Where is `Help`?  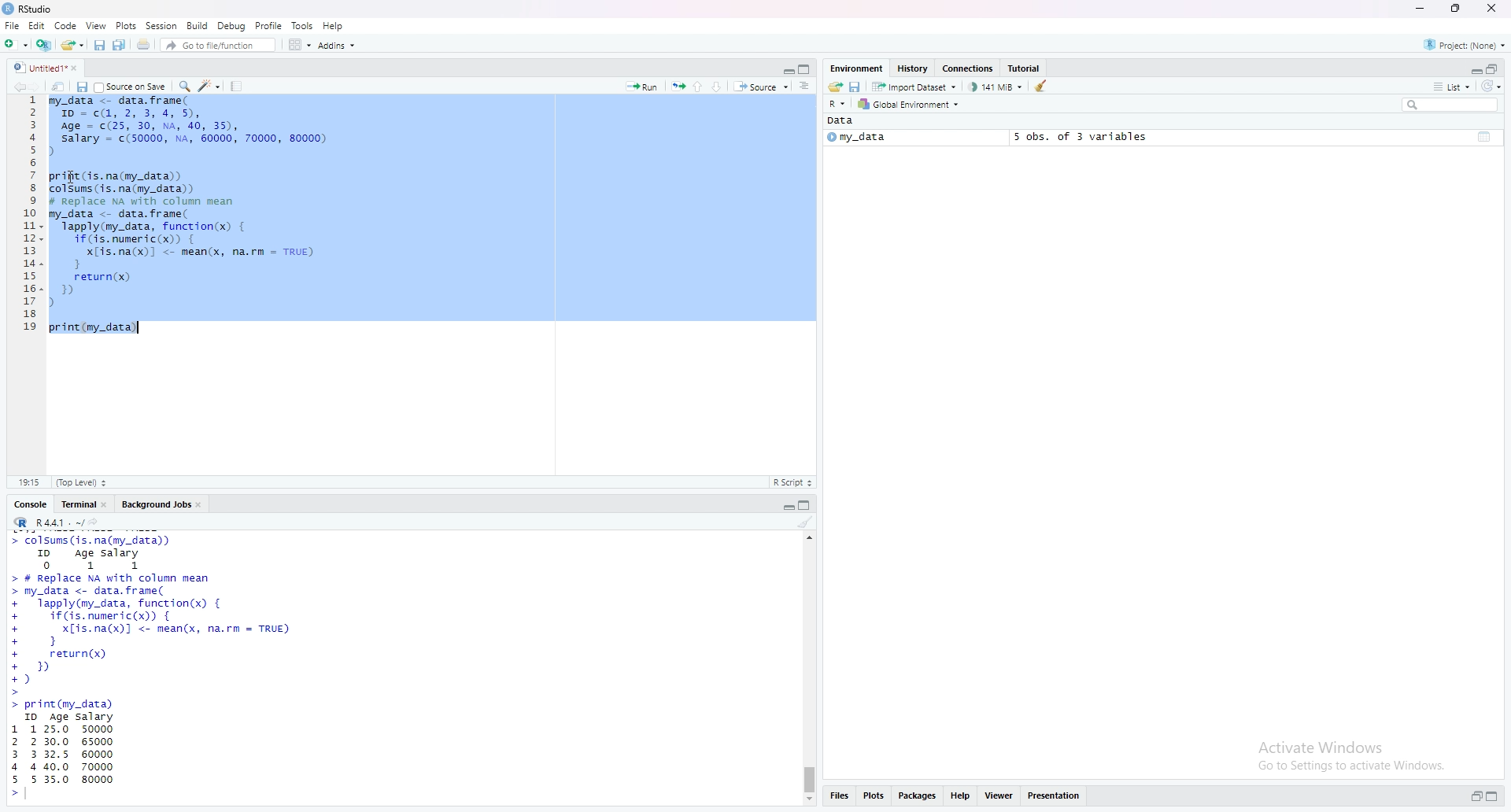
Help is located at coordinates (334, 25).